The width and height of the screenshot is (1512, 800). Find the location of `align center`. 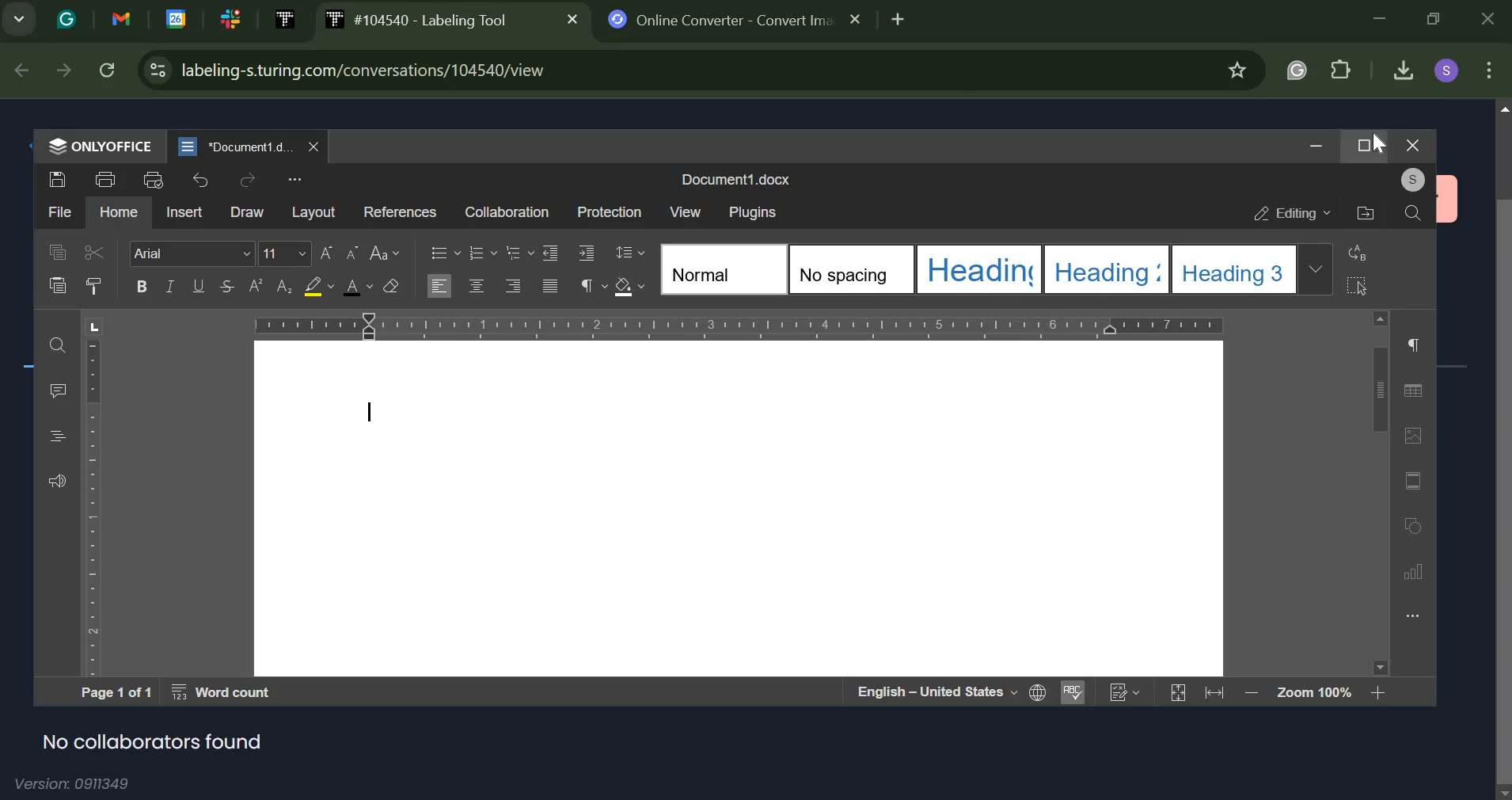

align center is located at coordinates (476, 287).